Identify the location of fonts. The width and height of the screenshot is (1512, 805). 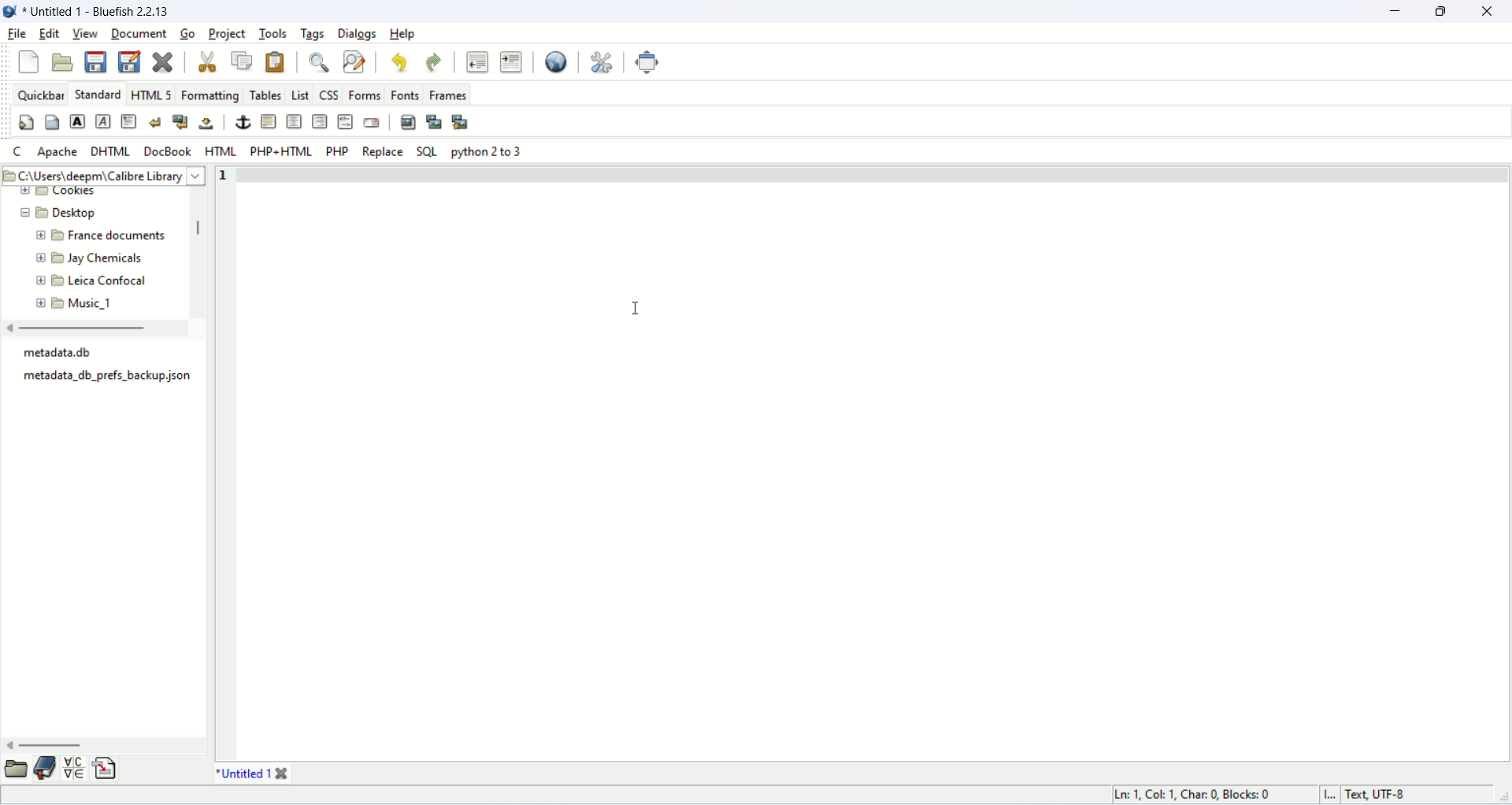
(406, 94).